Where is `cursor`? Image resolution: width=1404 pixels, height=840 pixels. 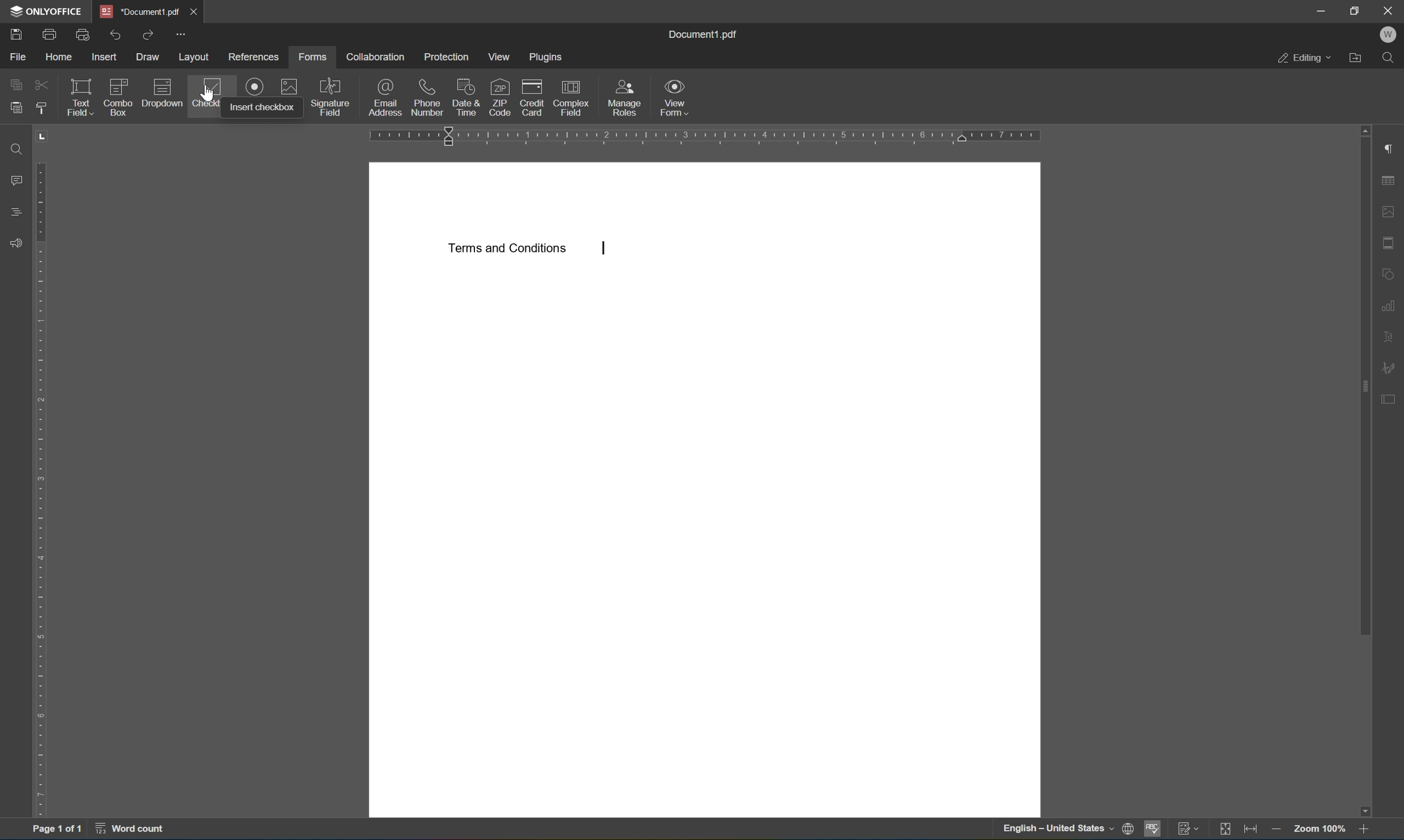 cursor is located at coordinates (209, 93).